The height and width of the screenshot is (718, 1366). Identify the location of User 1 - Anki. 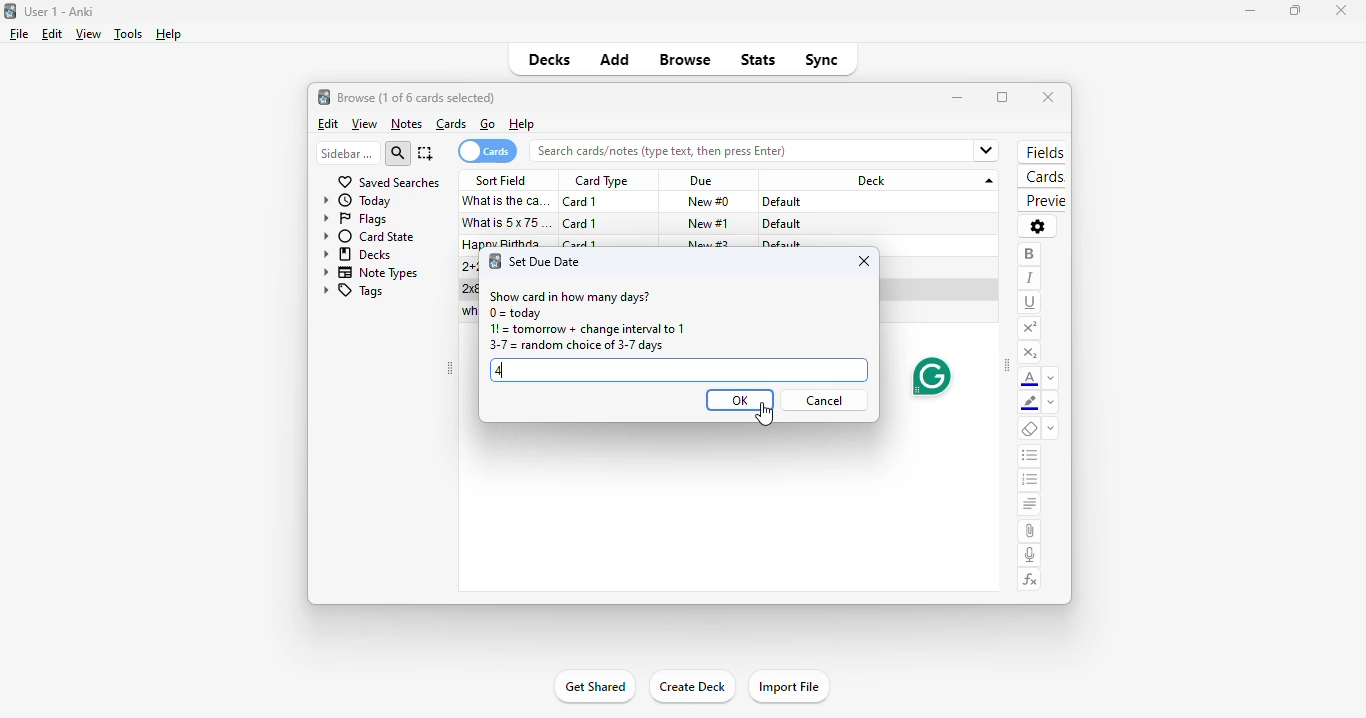
(59, 11).